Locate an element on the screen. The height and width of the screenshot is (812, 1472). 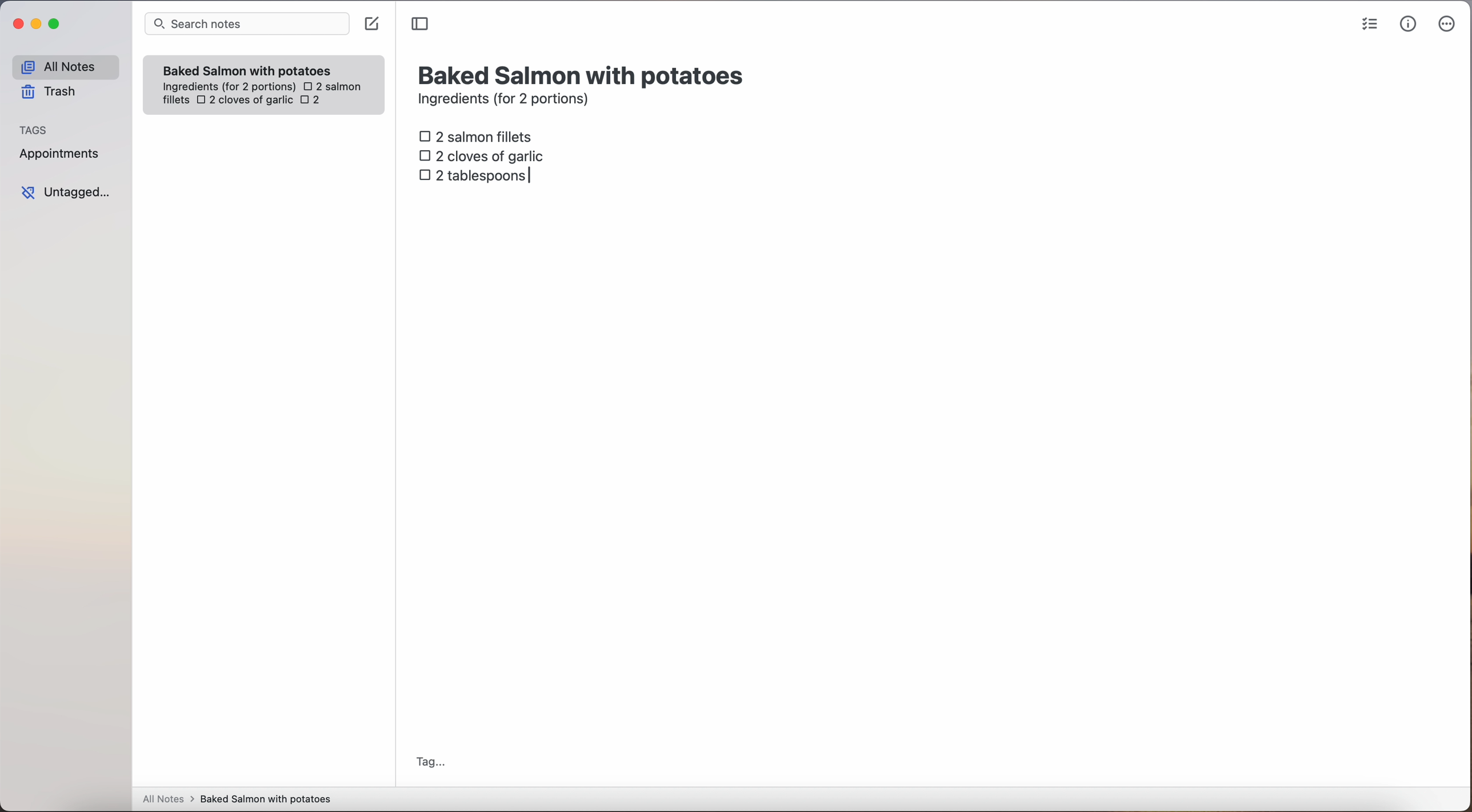
close Simplenote is located at coordinates (17, 25).